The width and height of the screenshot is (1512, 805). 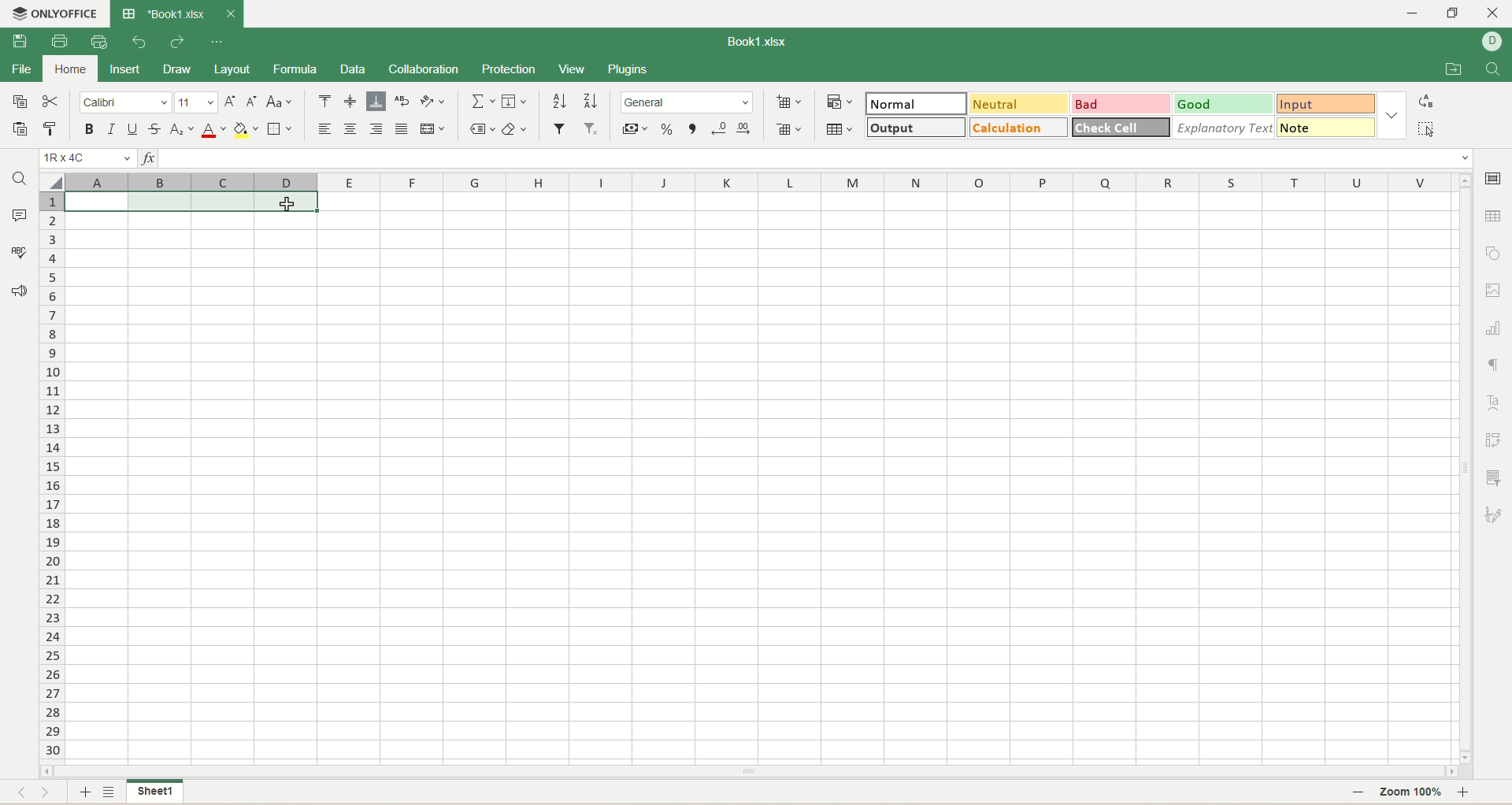 What do you see at coordinates (183, 129) in the screenshot?
I see `subscript` at bounding box center [183, 129].